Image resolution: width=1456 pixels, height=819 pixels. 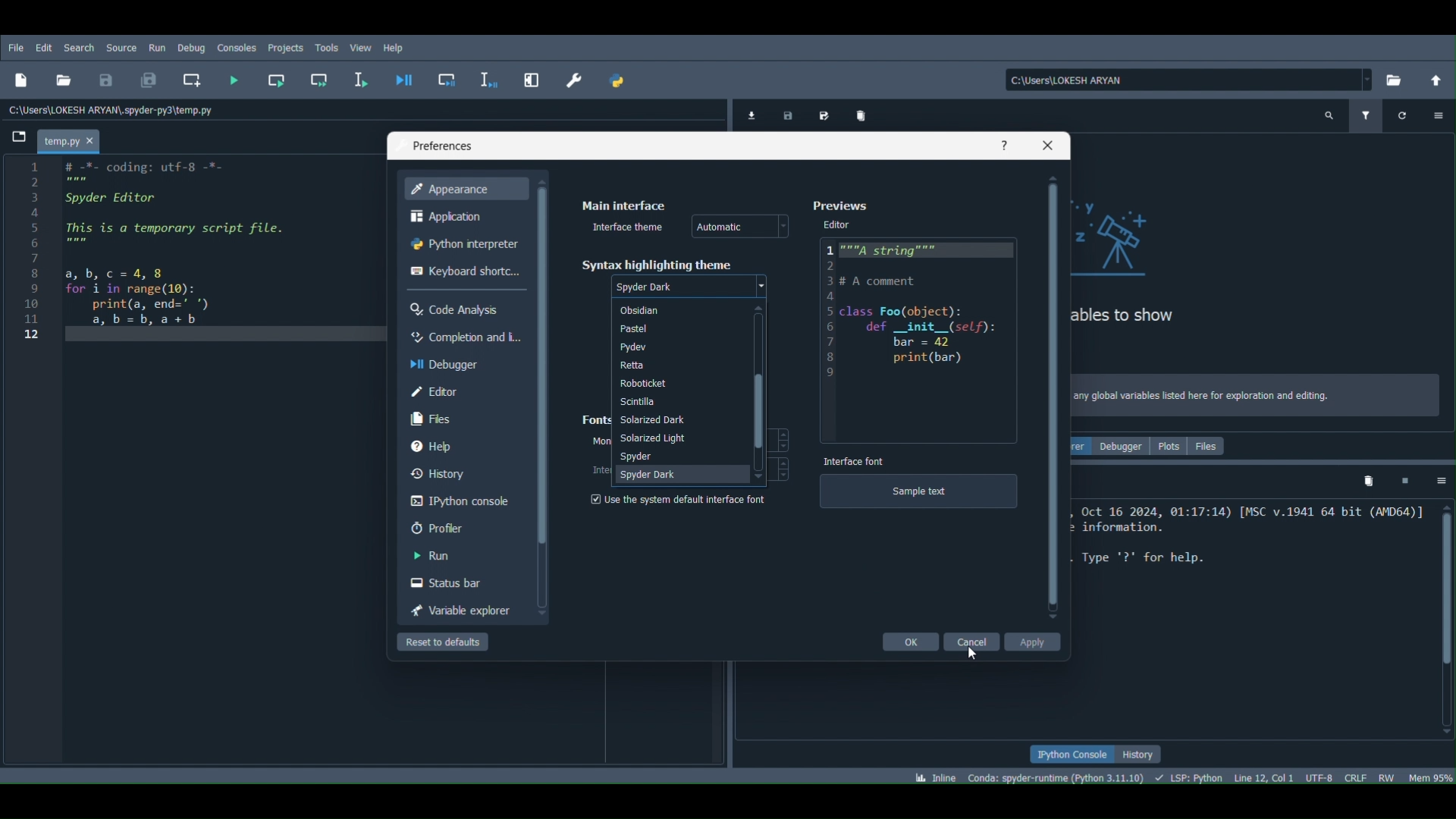 What do you see at coordinates (1005, 143) in the screenshot?
I see `Help` at bounding box center [1005, 143].